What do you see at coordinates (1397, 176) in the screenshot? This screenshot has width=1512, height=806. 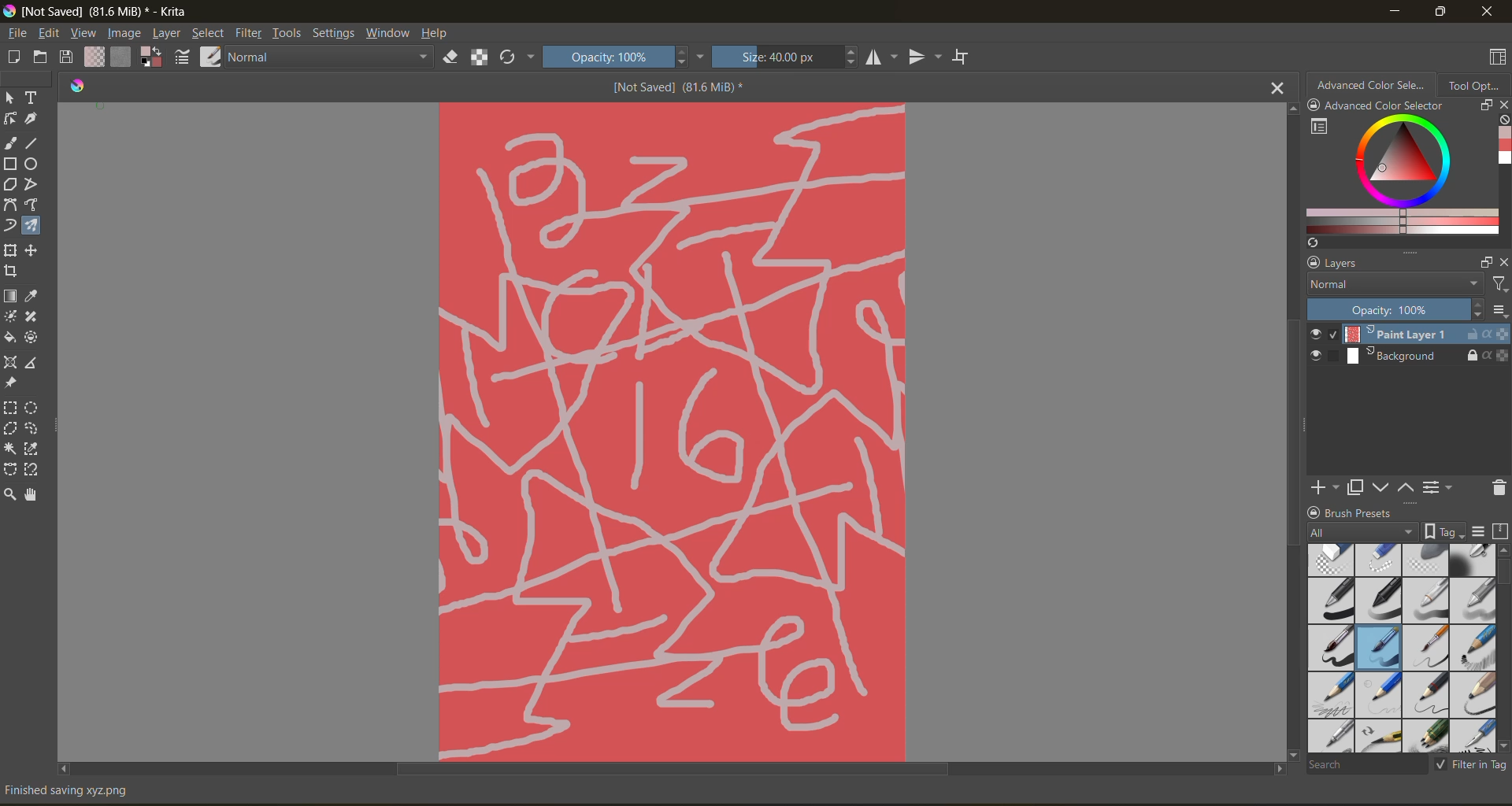 I see `advanced color selector` at bounding box center [1397, 176].